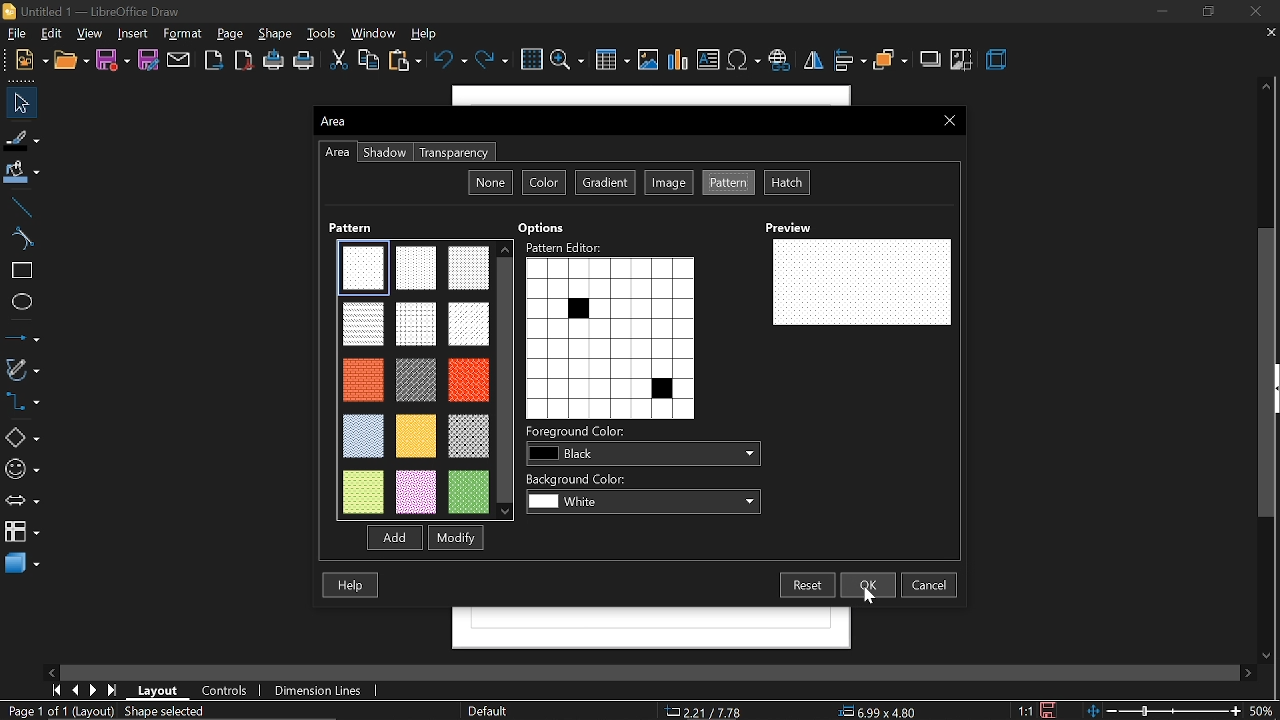 This screenshot has height=720, width=1280. What do you see at coordinates (1210, 12) in the screenshot?
I see `restore down` at bounding box center [1210, 12].